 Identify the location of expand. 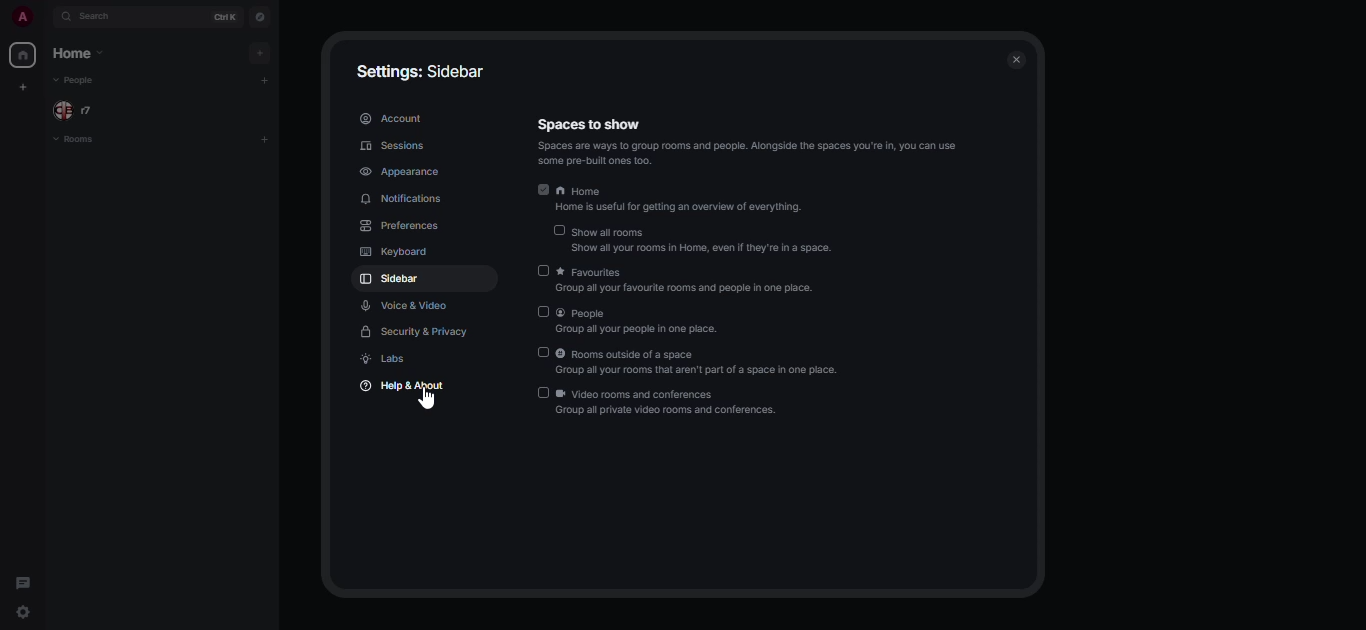
(48, 16).